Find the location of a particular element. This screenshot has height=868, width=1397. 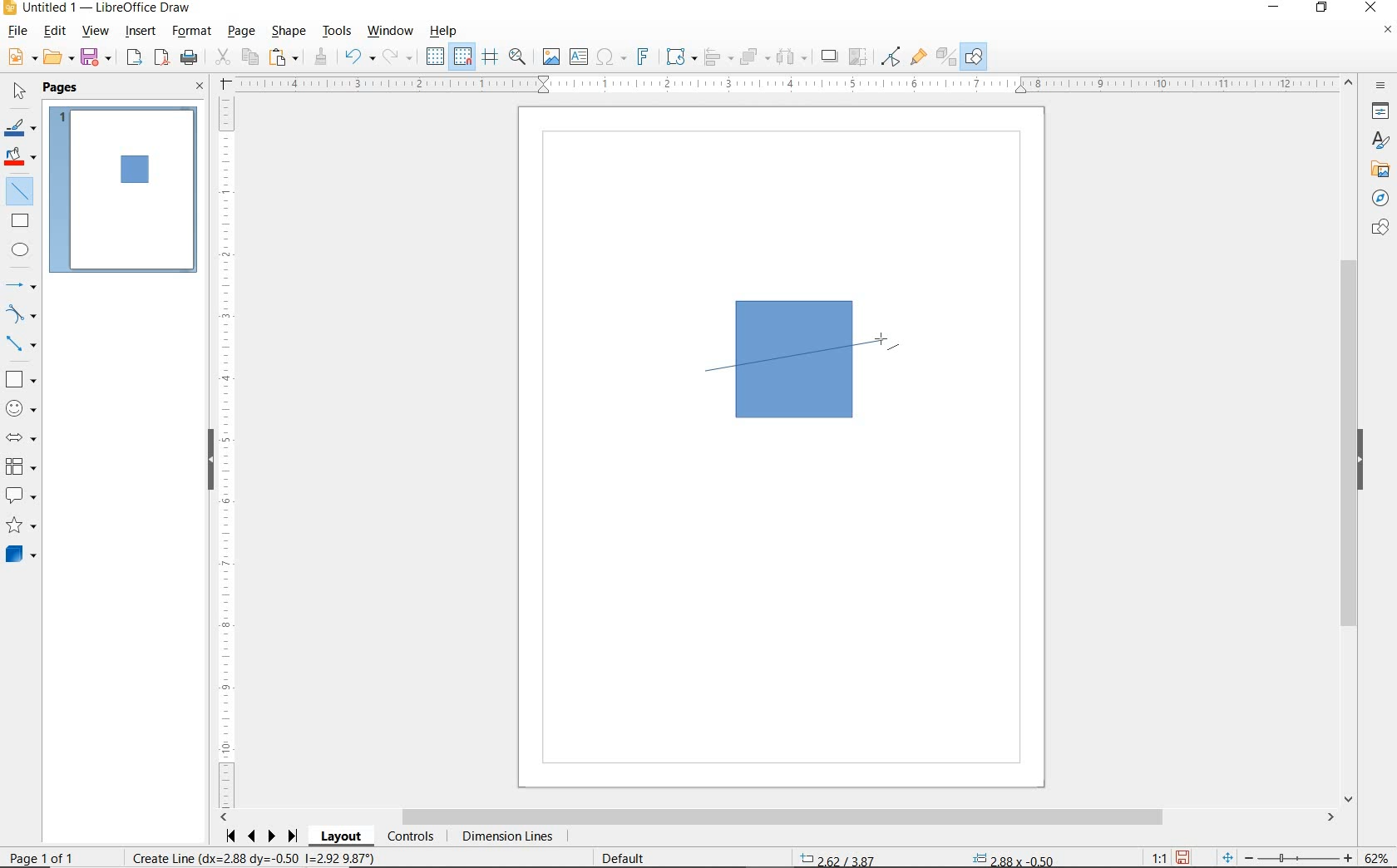

SAVE is located at coordinates (1182, 857).